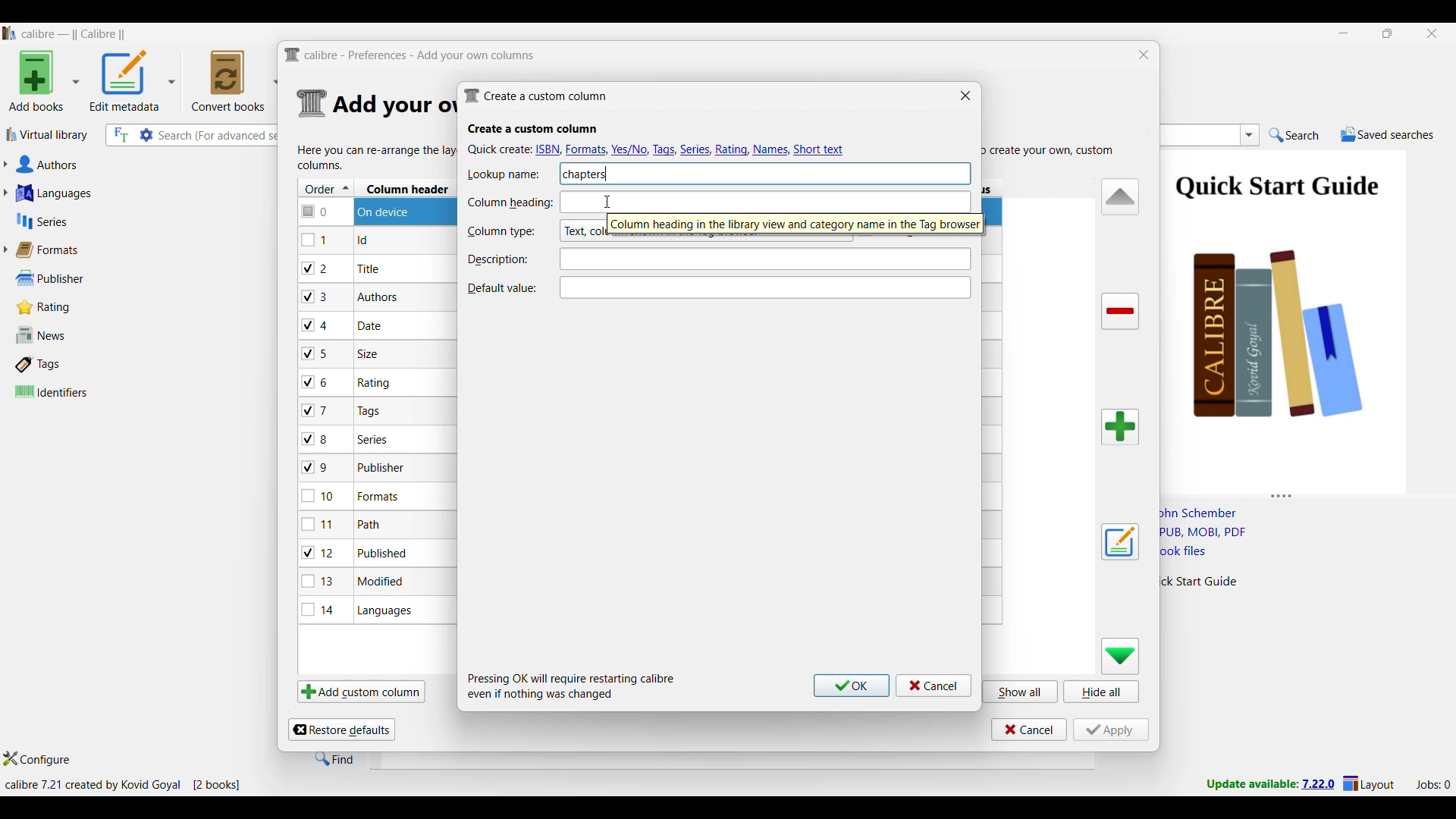 Image resolution: width=1456 pixels, height=819 pixels. I want to click on Virtual library, so click(48, 134).